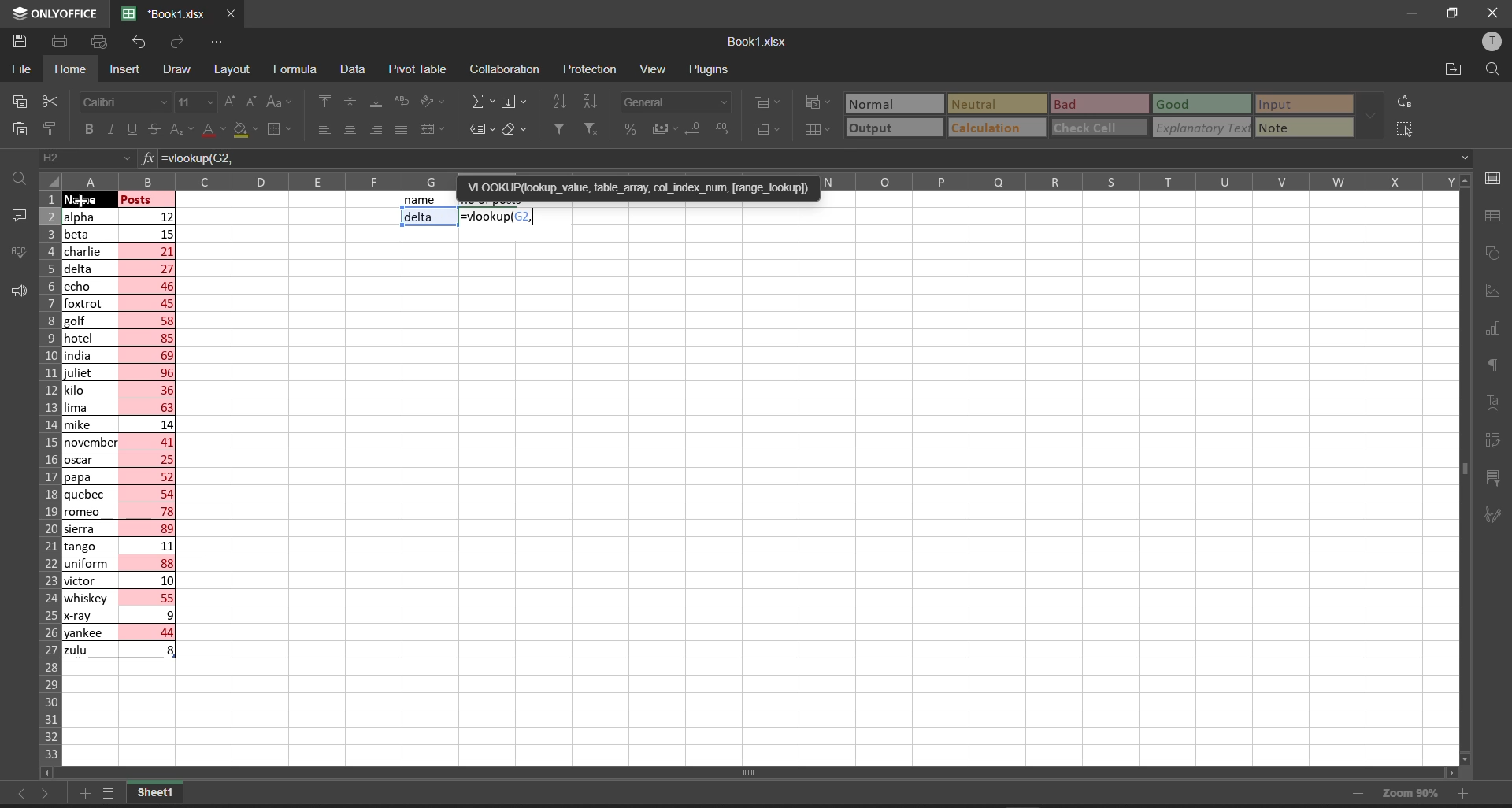  I want to click on orientation, so click(436, 102).